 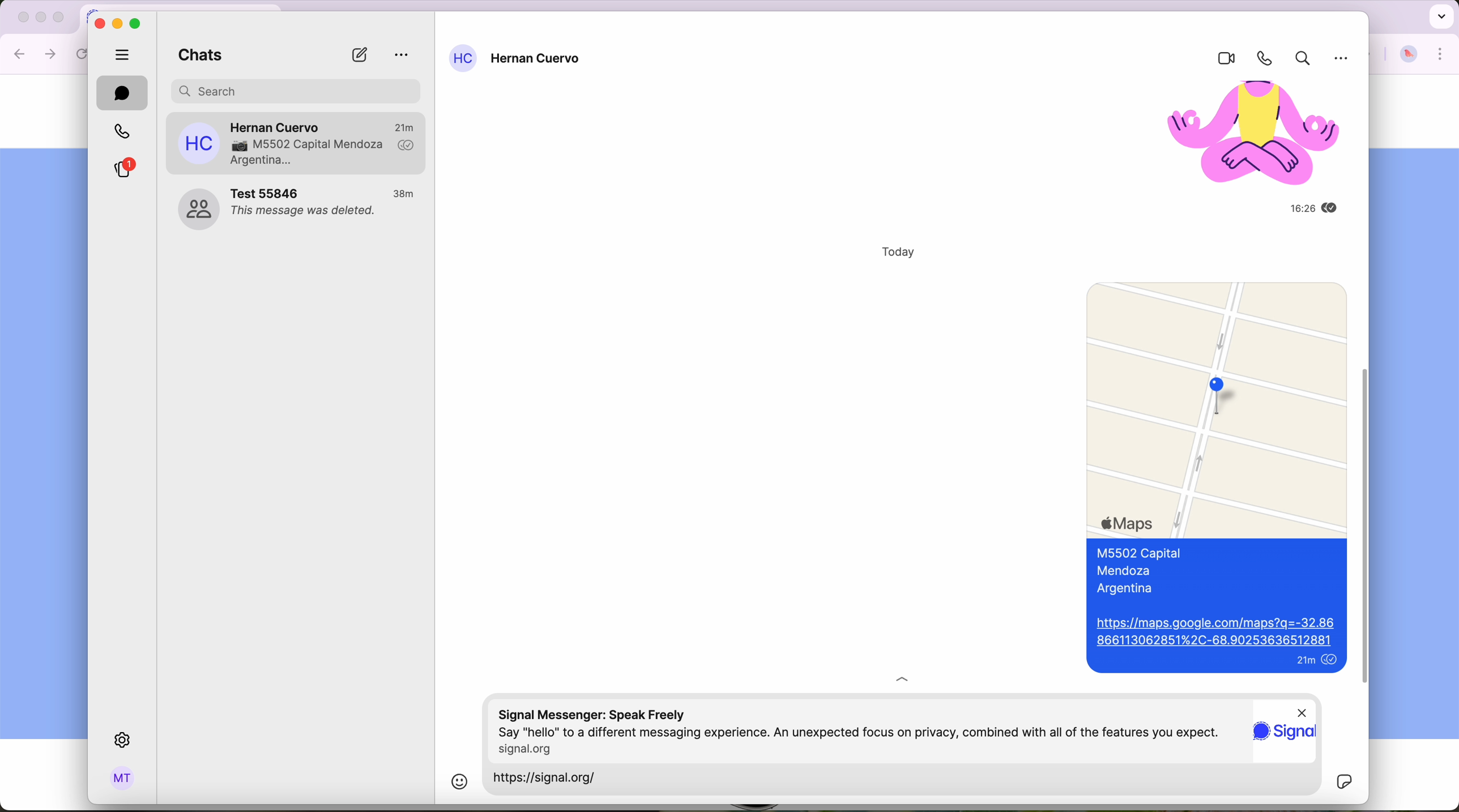 What do you see at coordinates (305, 213) in the screenshot?
I see `This message was deleted.` at bounding box center [305, 213].